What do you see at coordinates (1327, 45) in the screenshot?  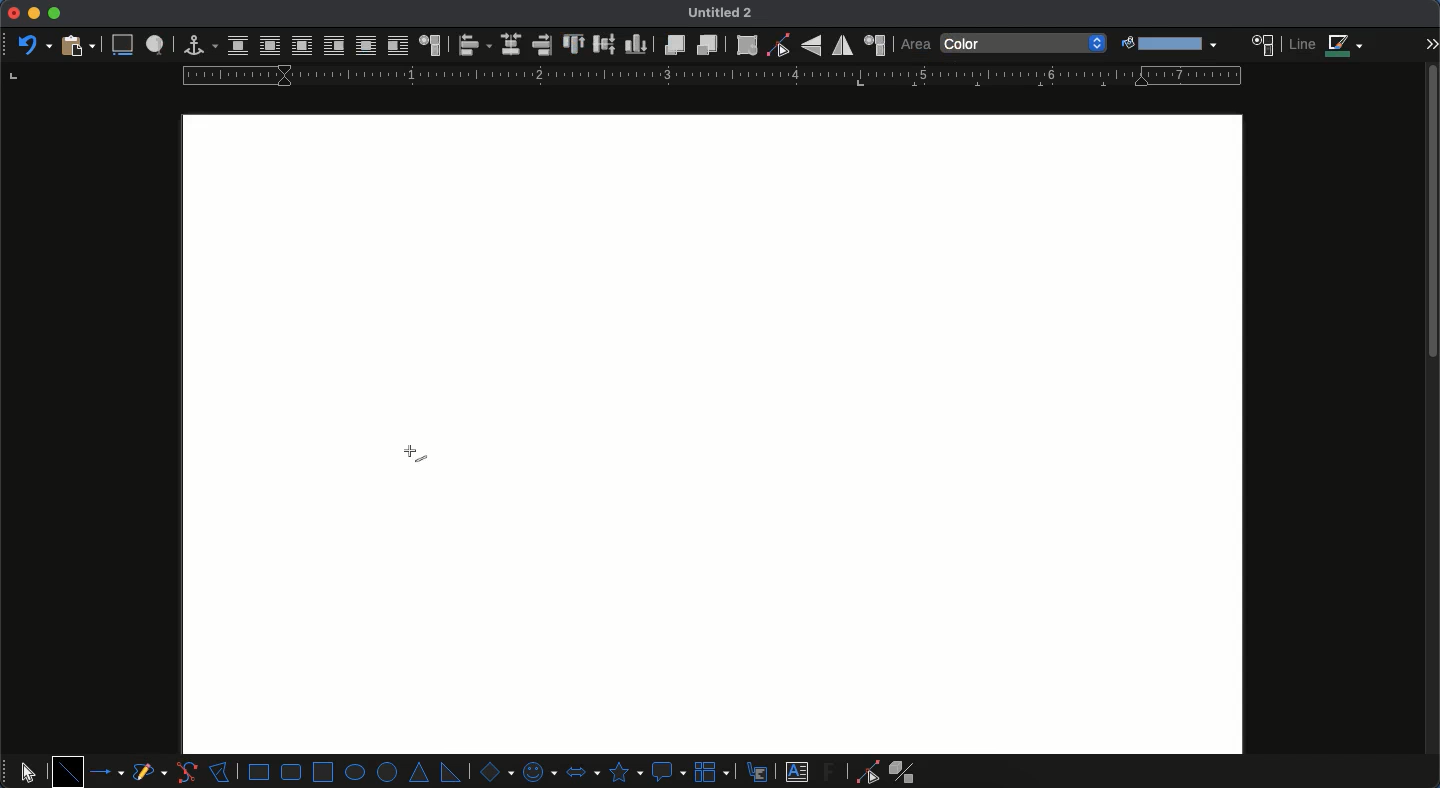 I see `line color` at bounding box center [1327, 45].